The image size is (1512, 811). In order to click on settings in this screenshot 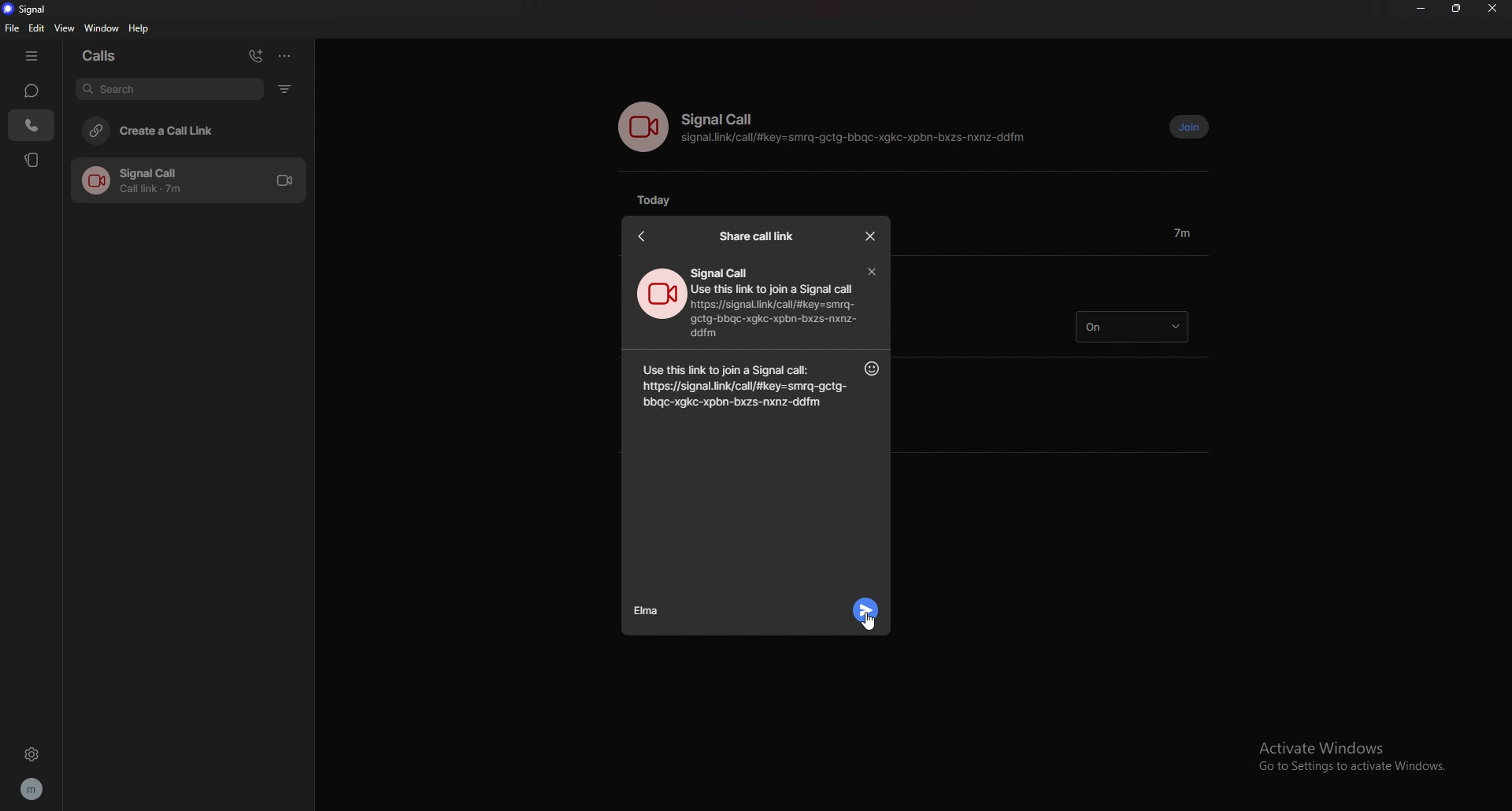, I will do `click(31, 754)`.